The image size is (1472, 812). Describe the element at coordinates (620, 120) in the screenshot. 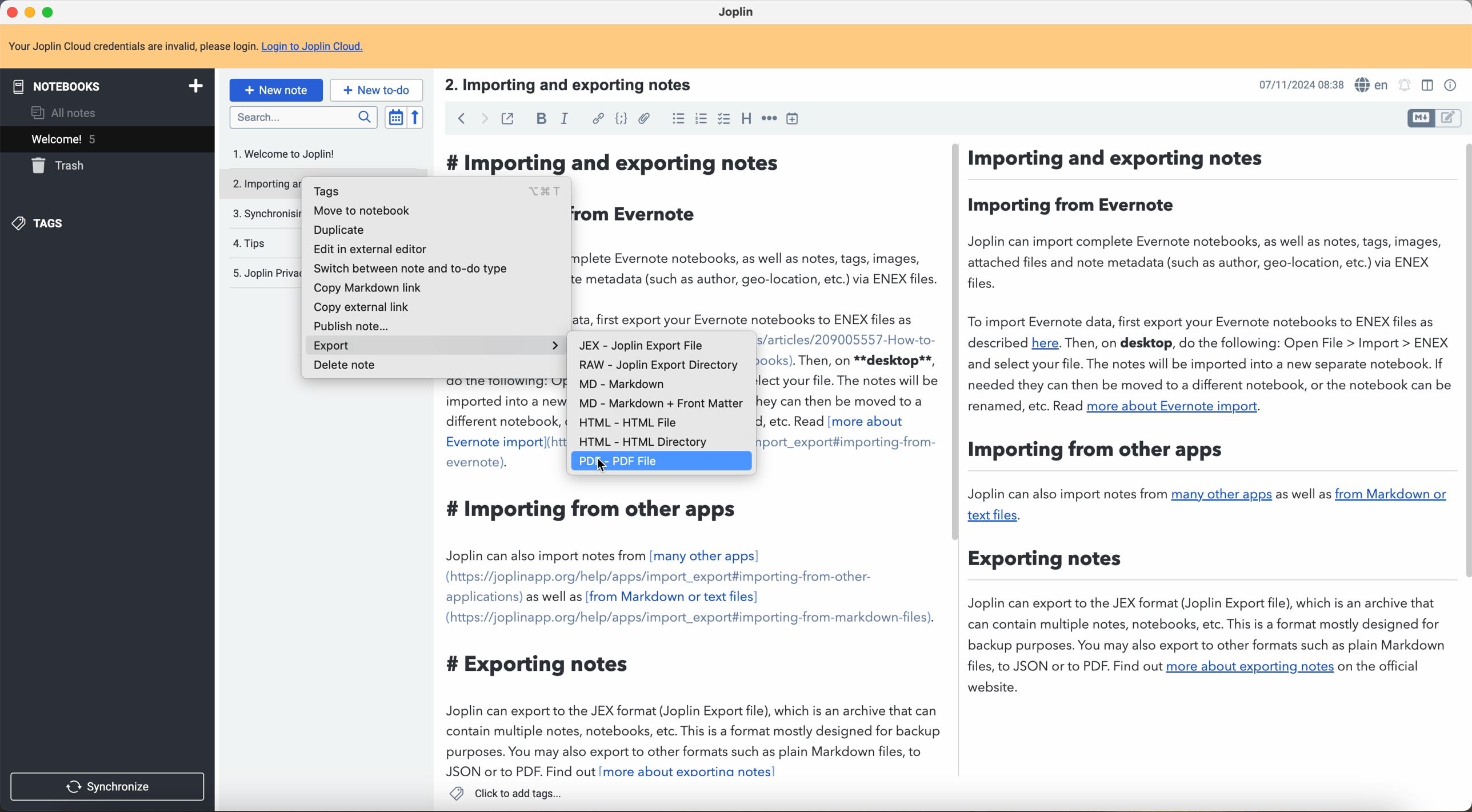

I see `code` at that location.